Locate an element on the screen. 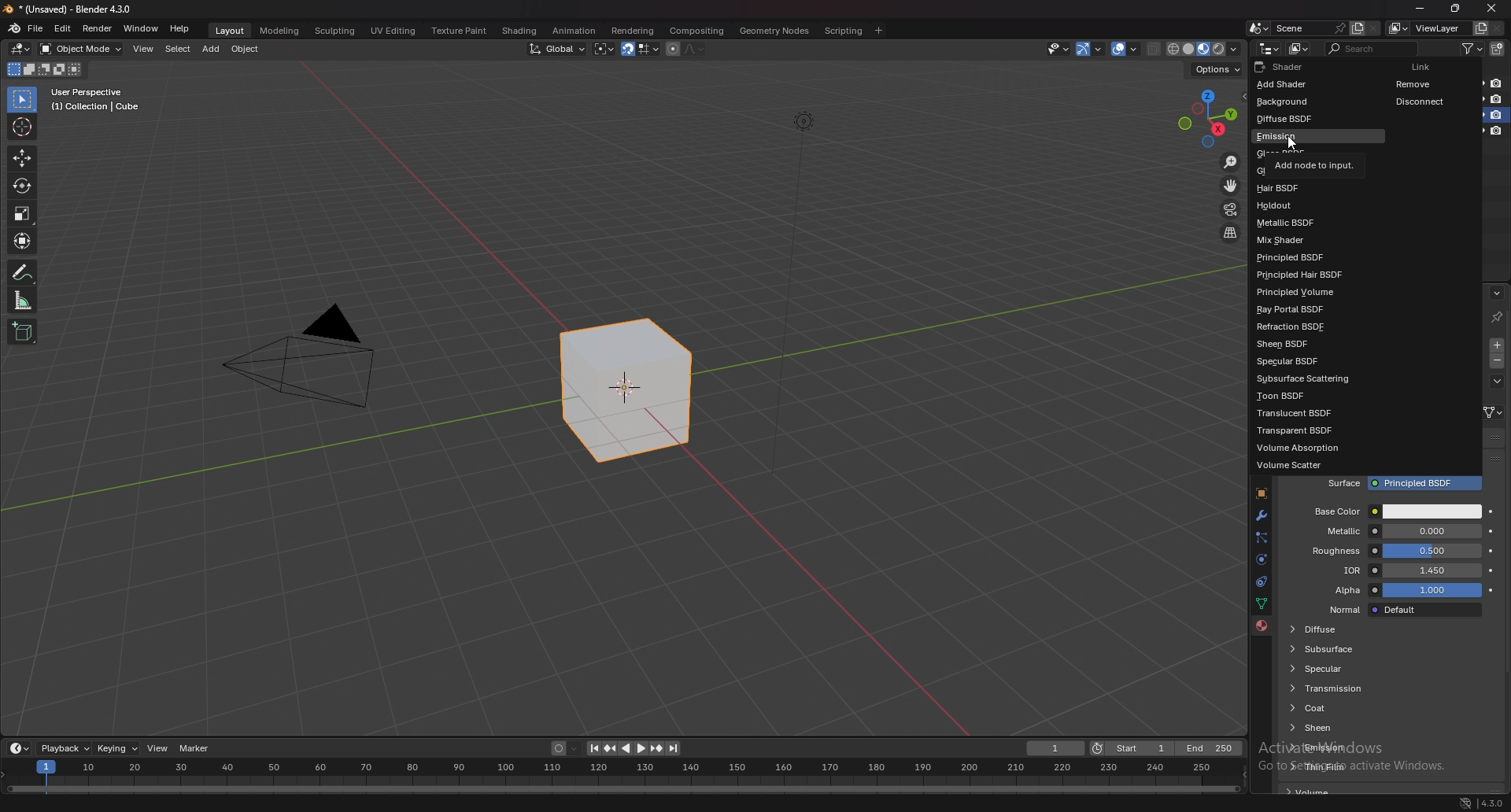 The image size is (1511, 812). view is located at coordinates (159, 748).